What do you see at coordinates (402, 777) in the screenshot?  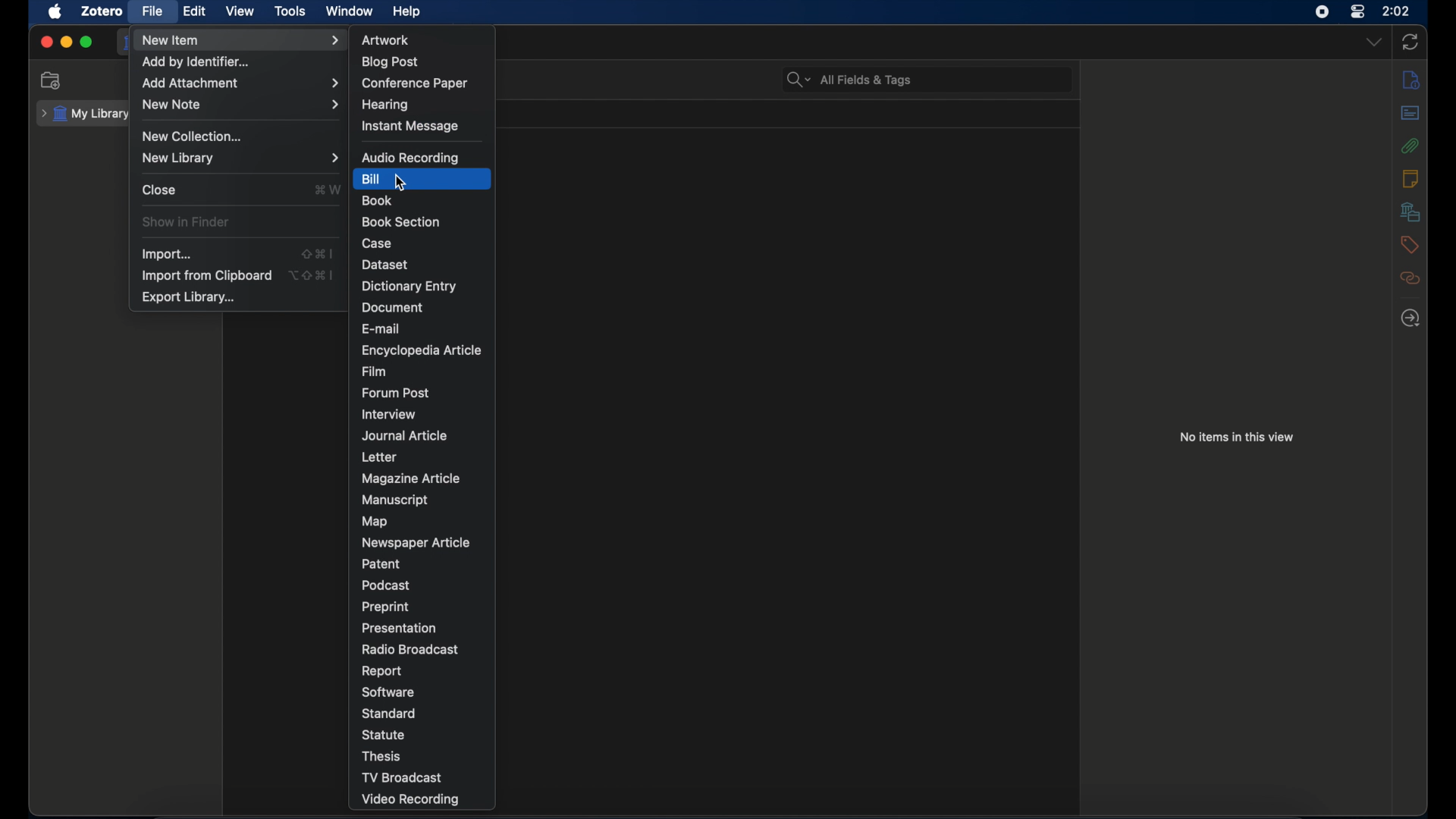 I see `tv broadcast` at bounding box center [402, 777].